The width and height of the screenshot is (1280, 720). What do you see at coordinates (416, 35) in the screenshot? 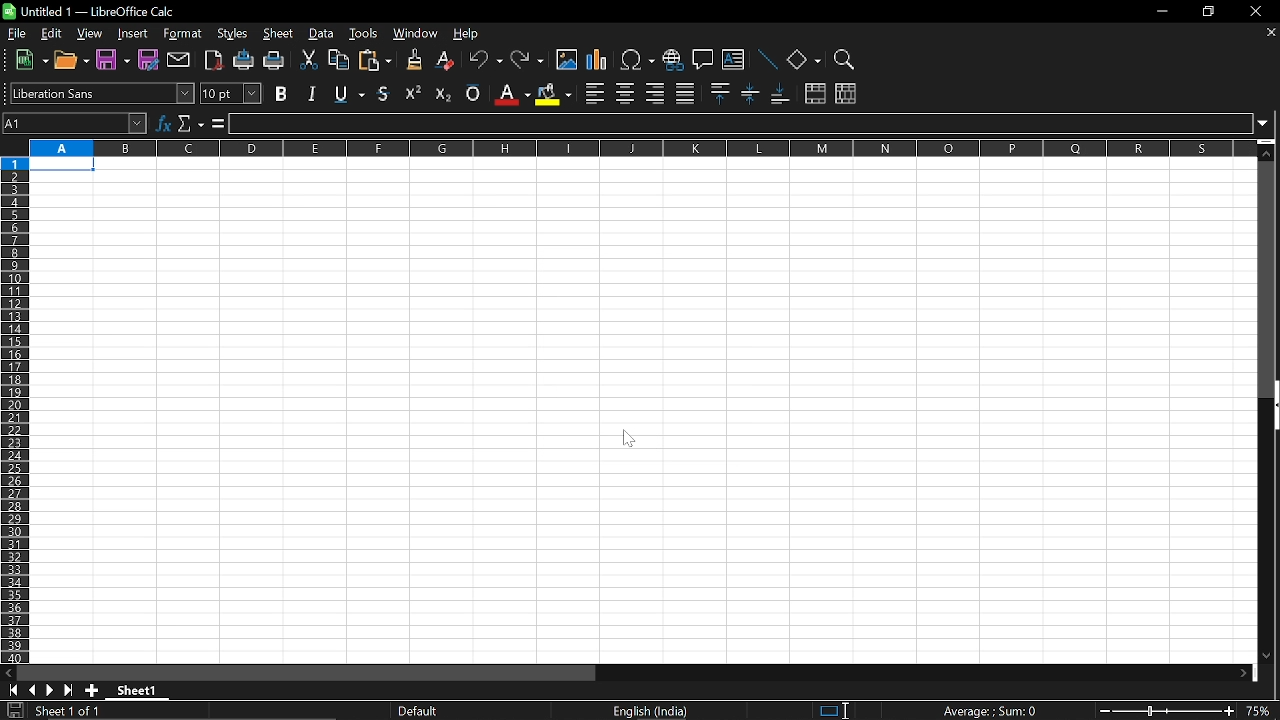
I see `window` at bounding box center [416, 35].